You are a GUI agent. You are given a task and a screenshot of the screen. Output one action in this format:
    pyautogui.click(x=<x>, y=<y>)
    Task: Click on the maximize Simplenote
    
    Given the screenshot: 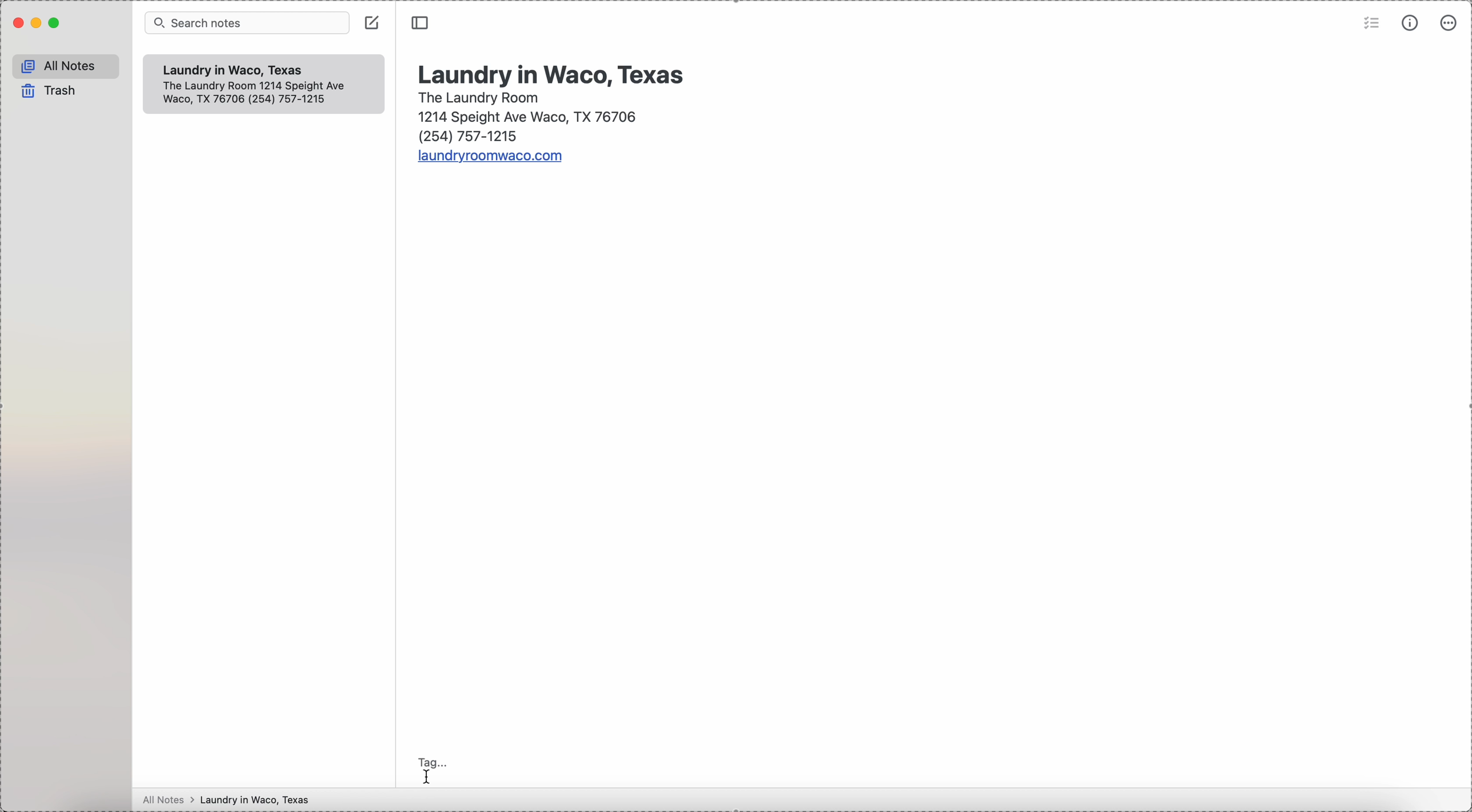 What is the action you would take?
    pyautogui.click(x=58, y=23)
    